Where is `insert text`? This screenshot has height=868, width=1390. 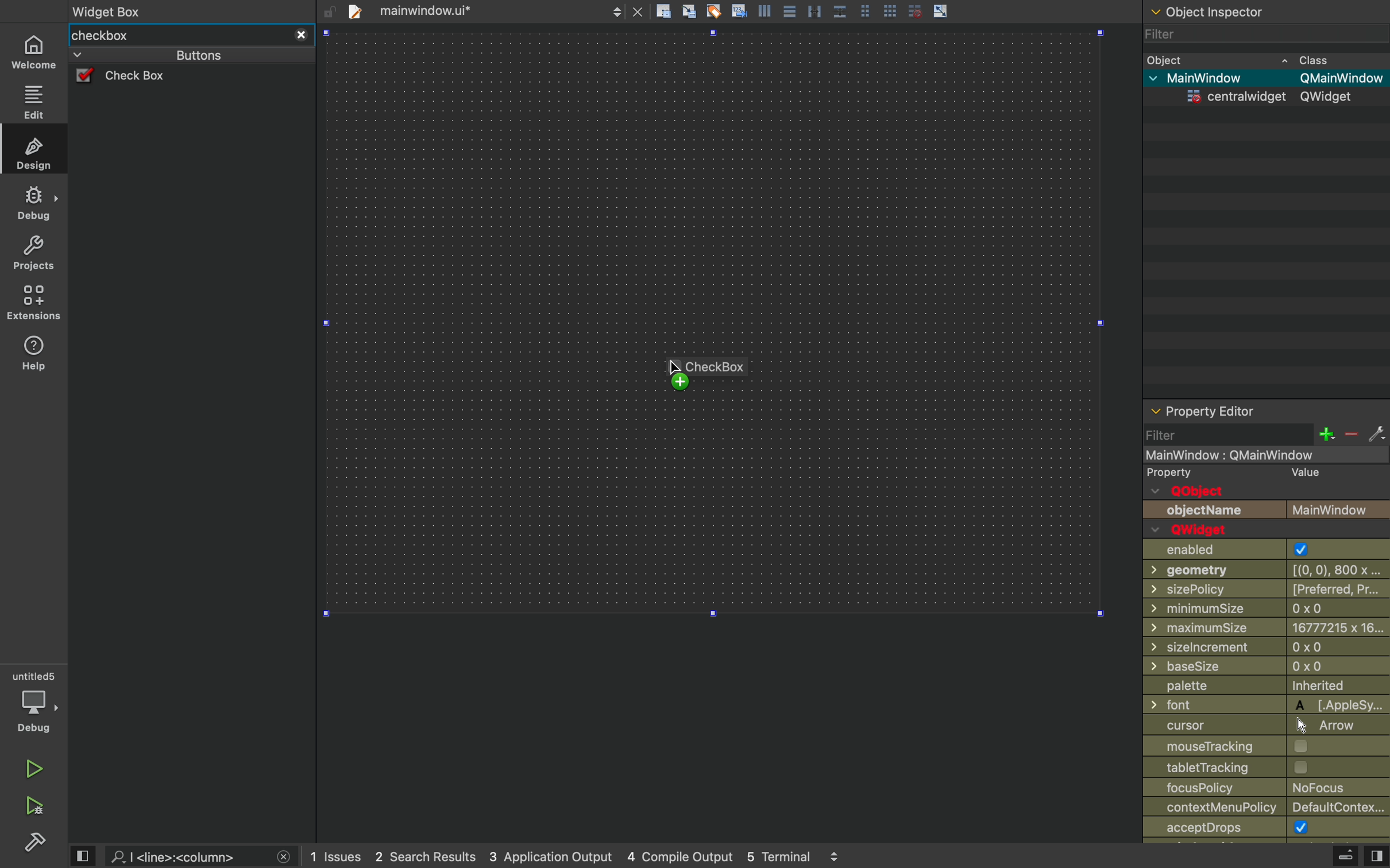 insert text is located at coordinates (738, 10).